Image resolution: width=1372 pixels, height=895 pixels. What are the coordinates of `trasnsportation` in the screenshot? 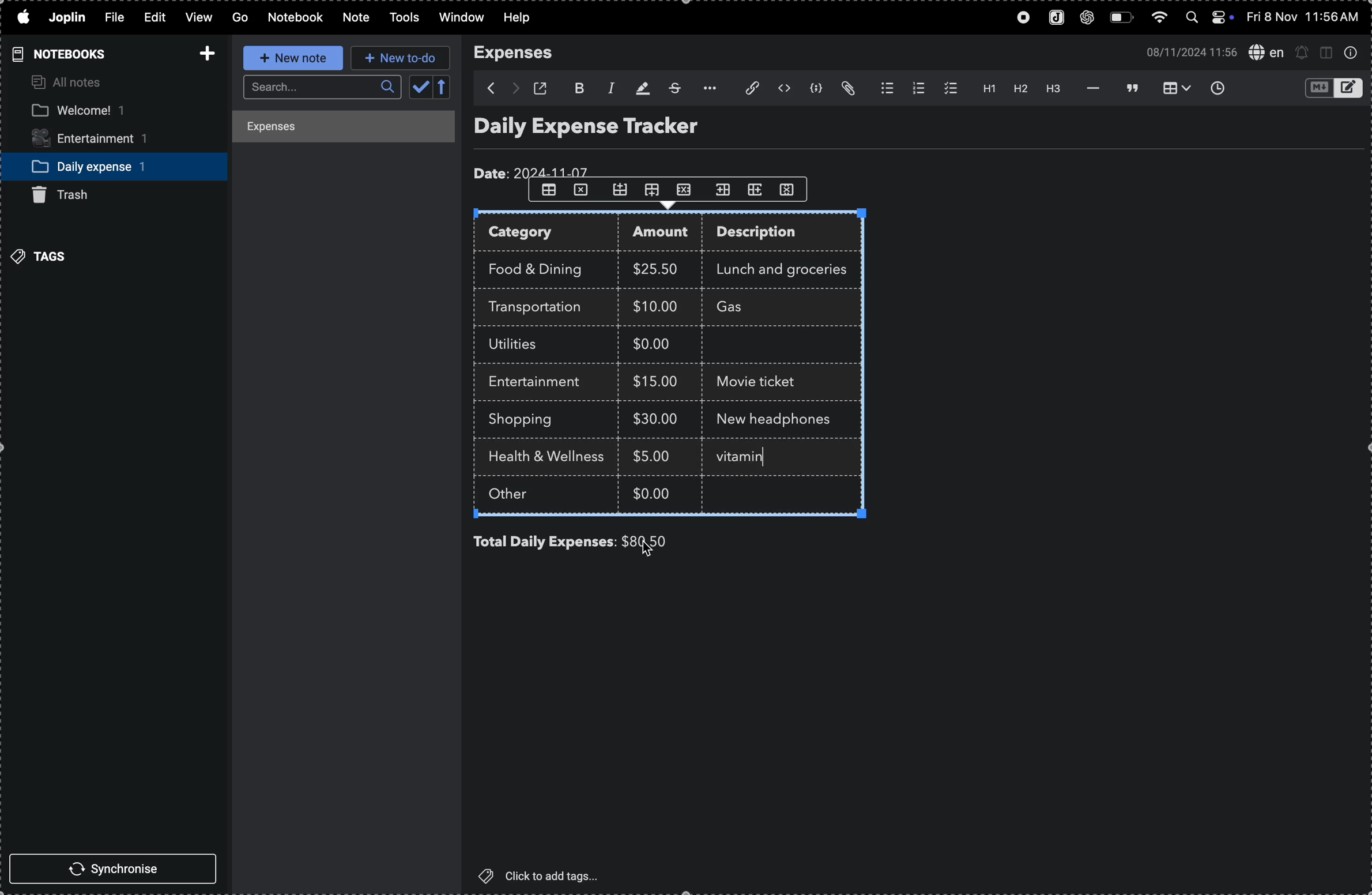 It's located at (541, 307).